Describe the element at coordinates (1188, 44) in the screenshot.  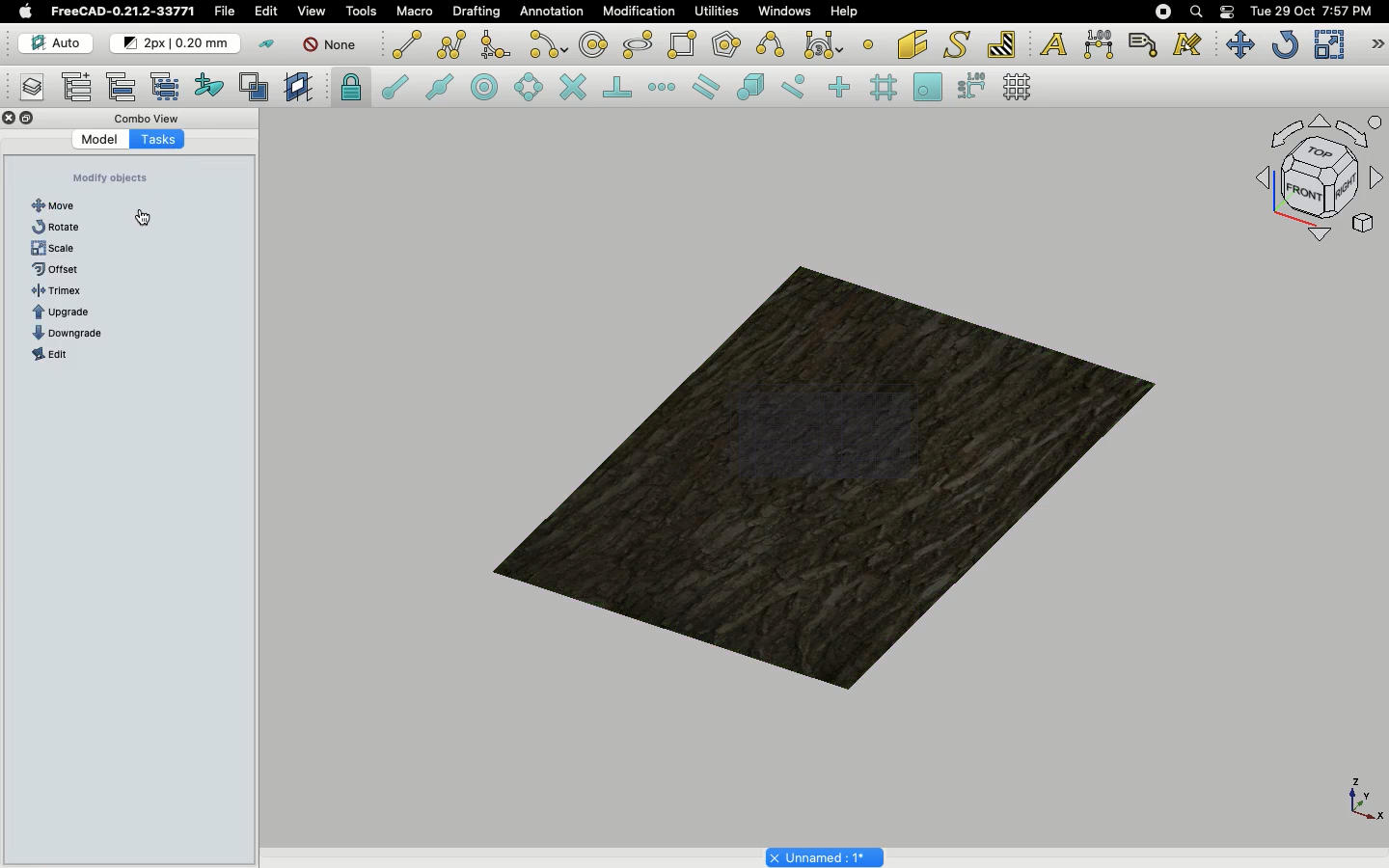
I see `Annotation styles` at that location.